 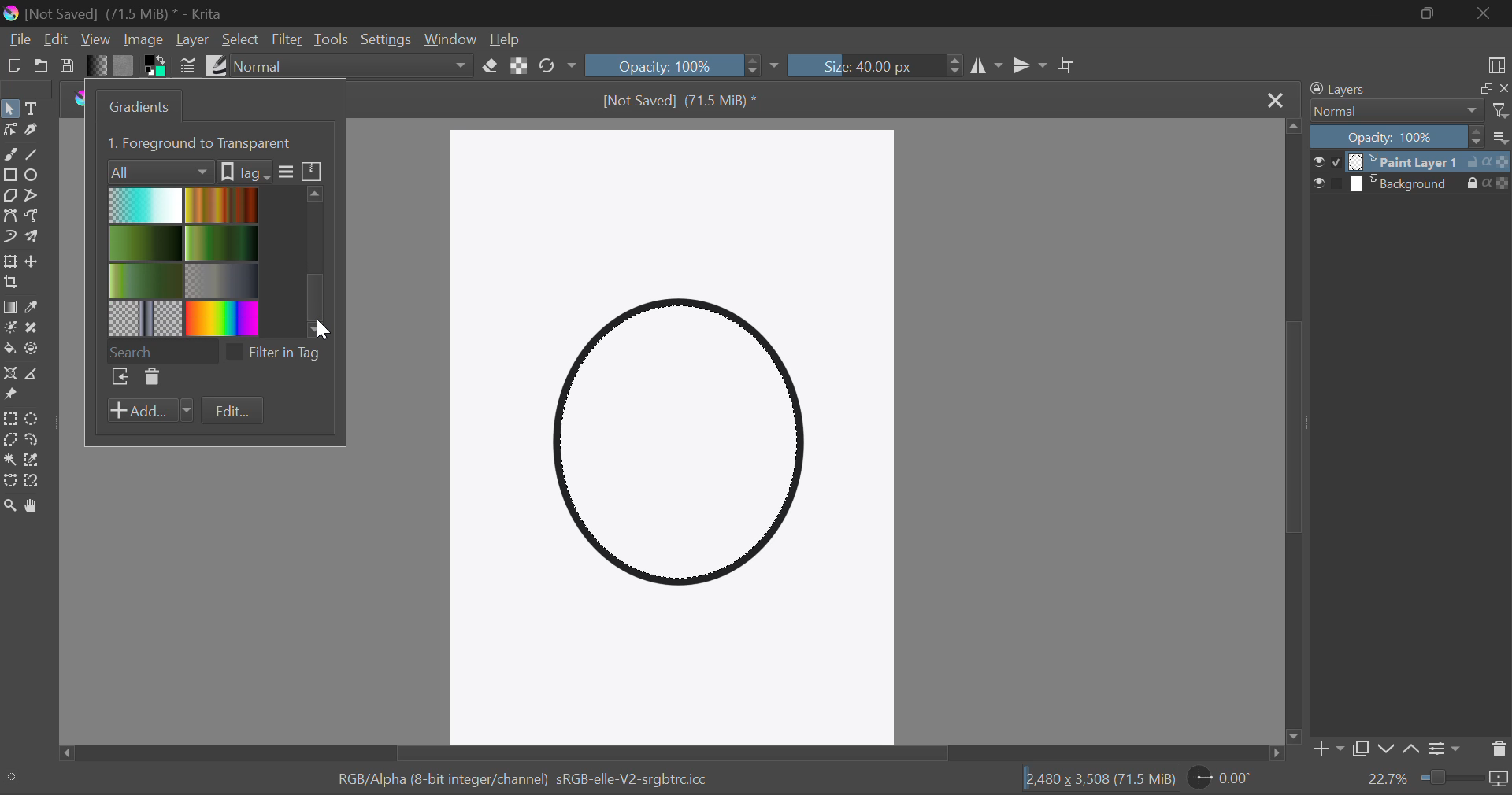 What do you see at coordinates (223, 205) in the screenshot?
I see `Brown Gradient` at bounding box center [223, 205].